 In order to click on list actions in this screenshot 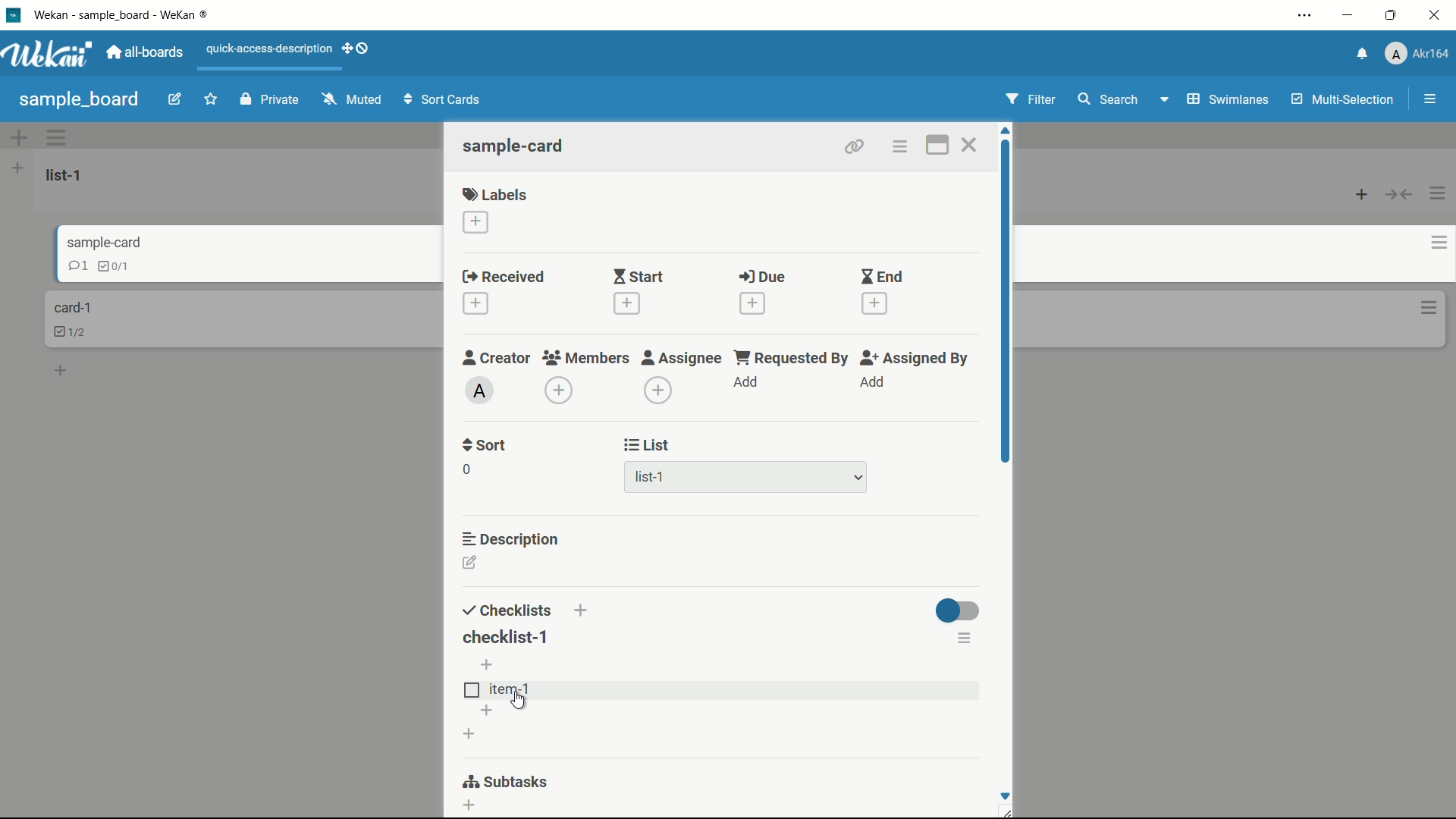, I will do `click(17, 168)`.